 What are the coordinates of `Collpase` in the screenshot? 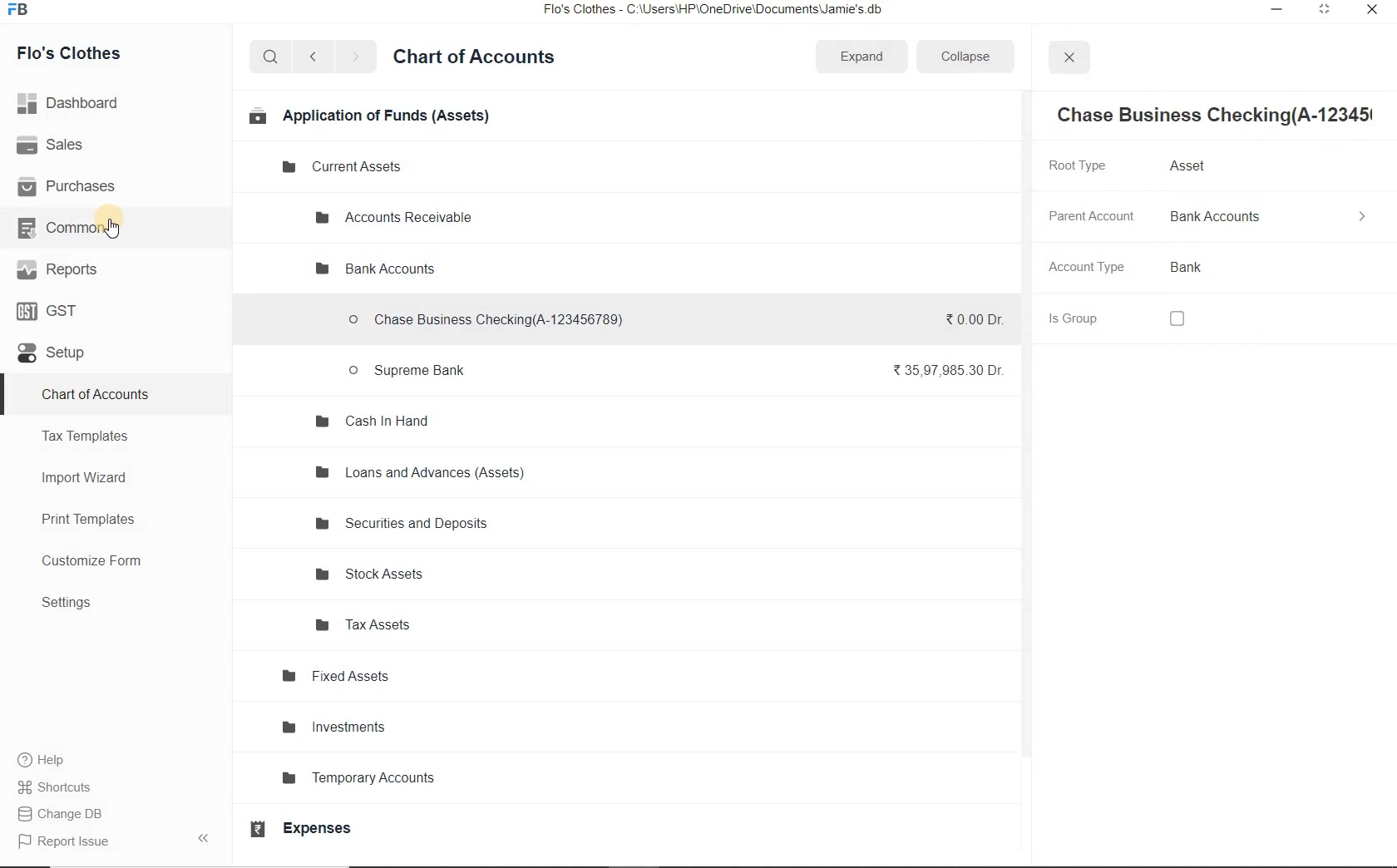 It's located at (203, 837).